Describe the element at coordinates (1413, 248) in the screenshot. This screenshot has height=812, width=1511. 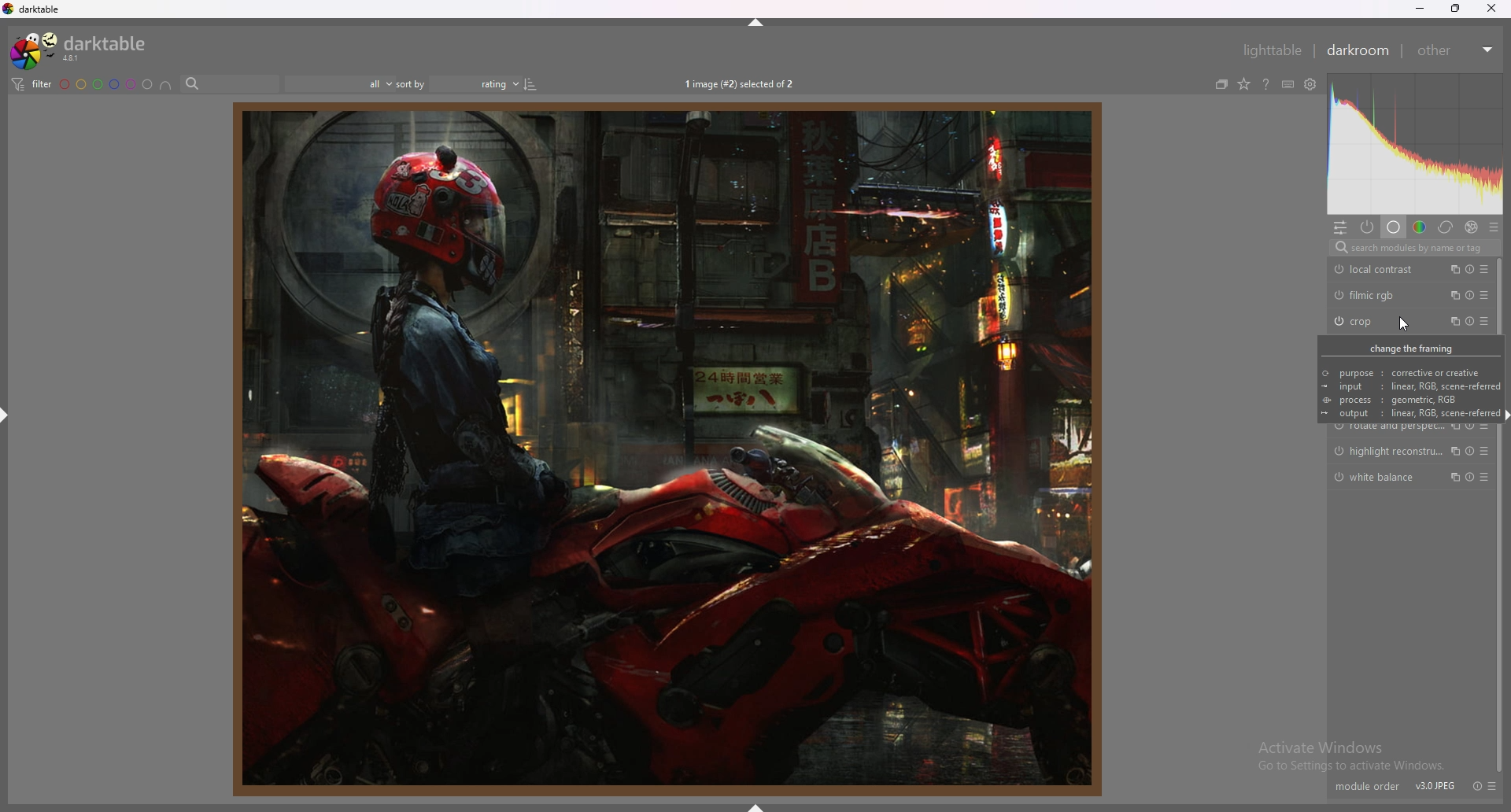
I see `search modules` at that location.